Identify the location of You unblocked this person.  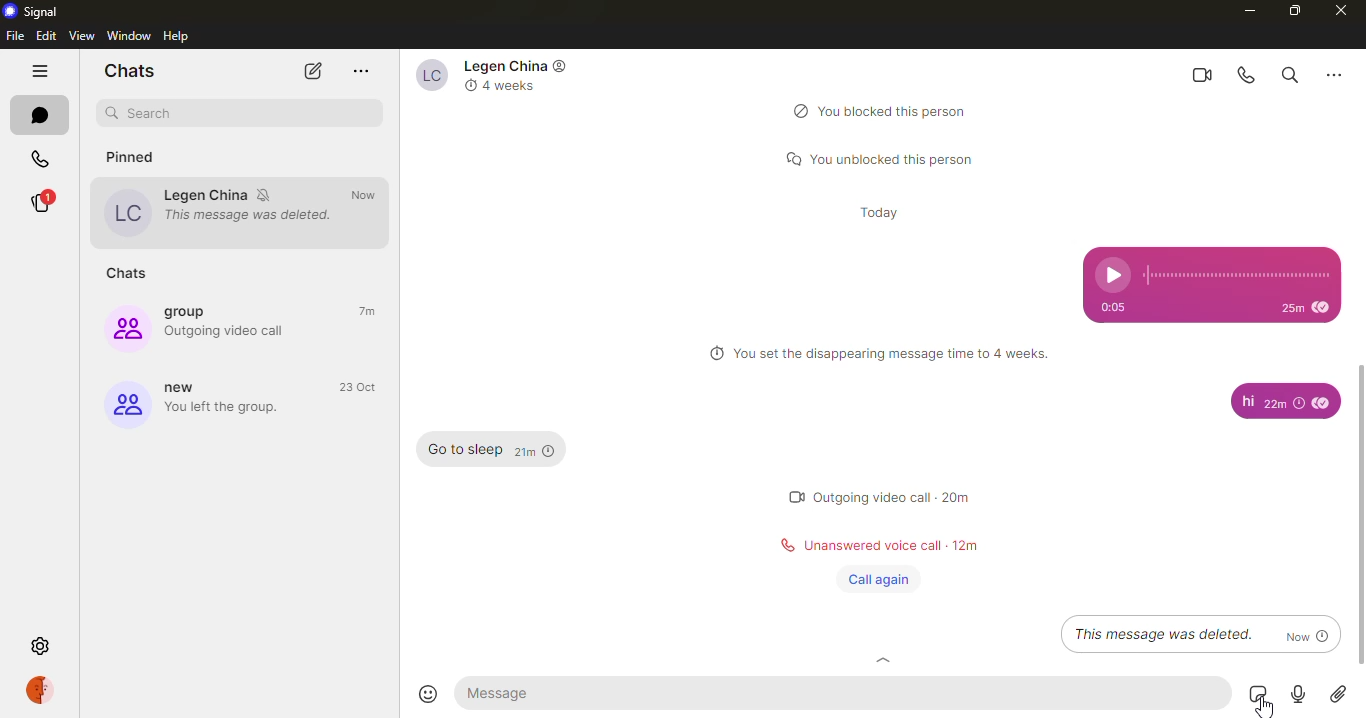
(894, 157).